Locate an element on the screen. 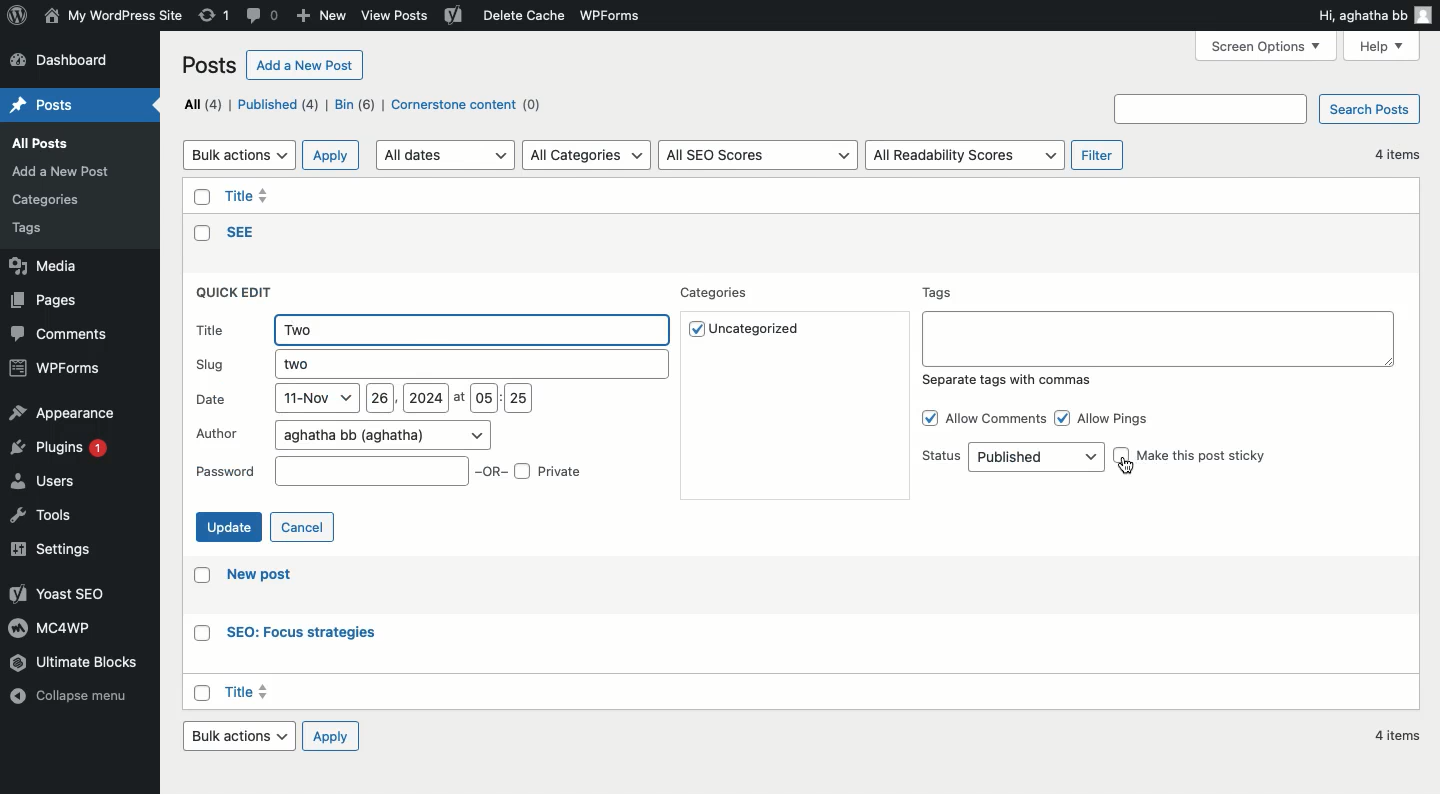 The height and width of the screenshot is (794, 1440). Title 3 is located at coordinates (252, 694).